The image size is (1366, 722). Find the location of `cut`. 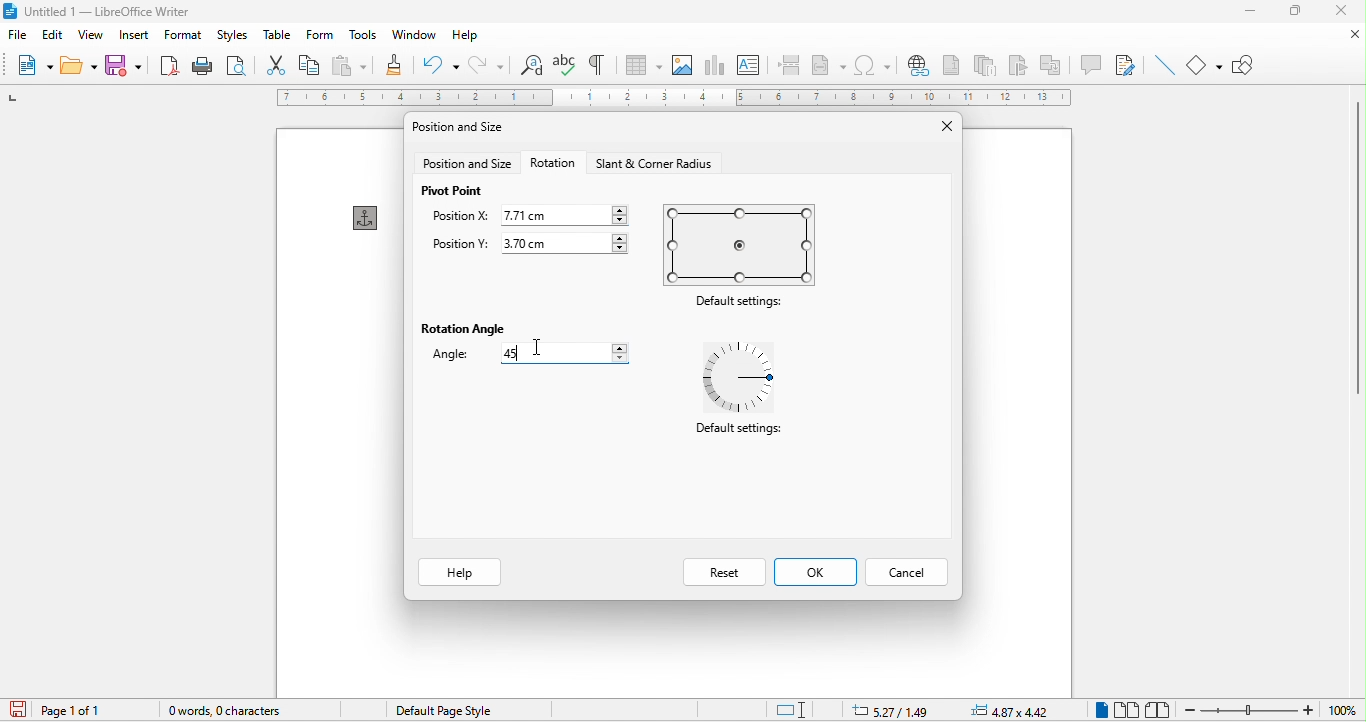

cut is located at coordinates (278, 66).